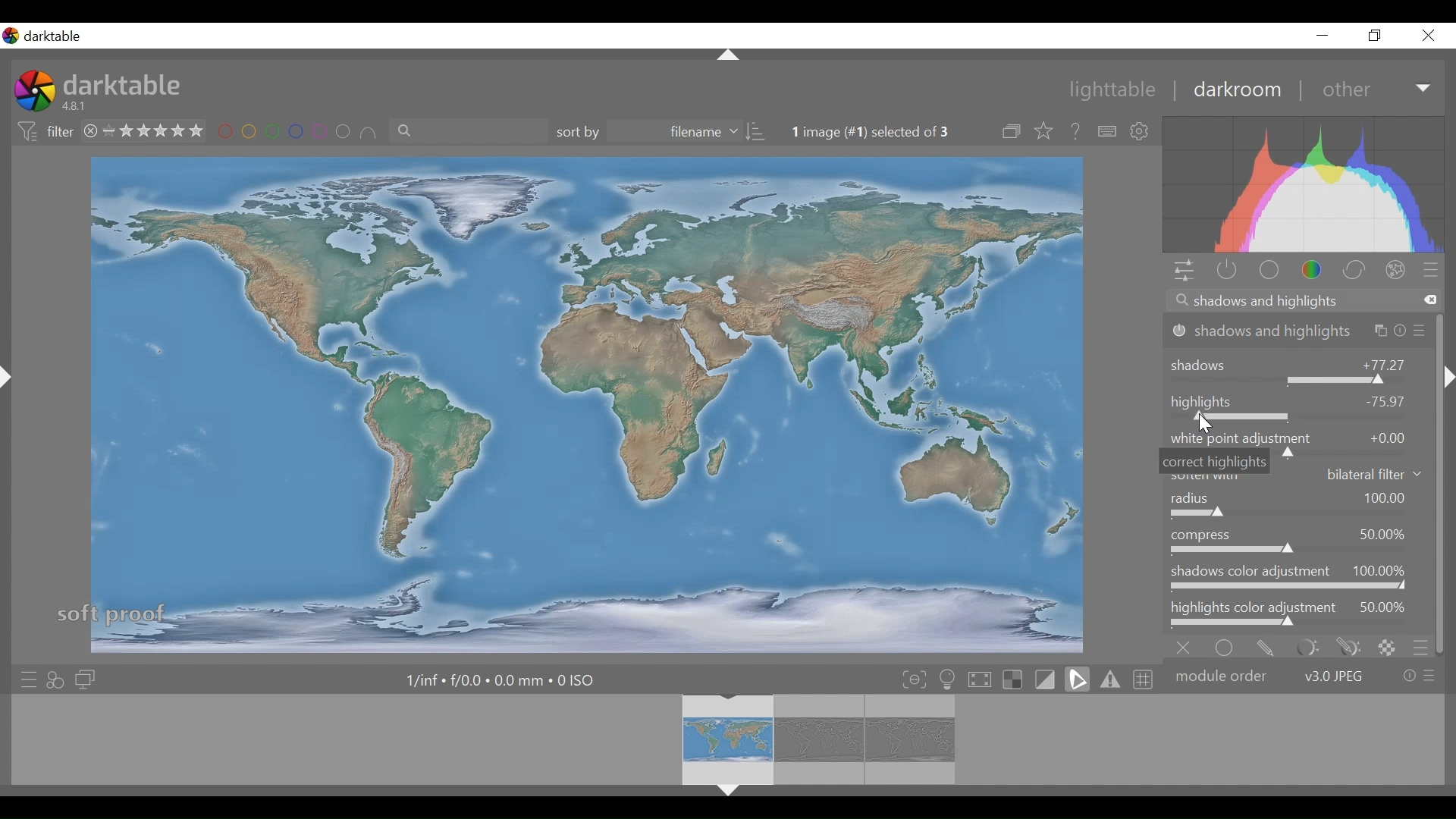 The image size is (1456, 819). Describe the element at coordinates (583, 403) in the screenshot. I see `main editing area` at that location.